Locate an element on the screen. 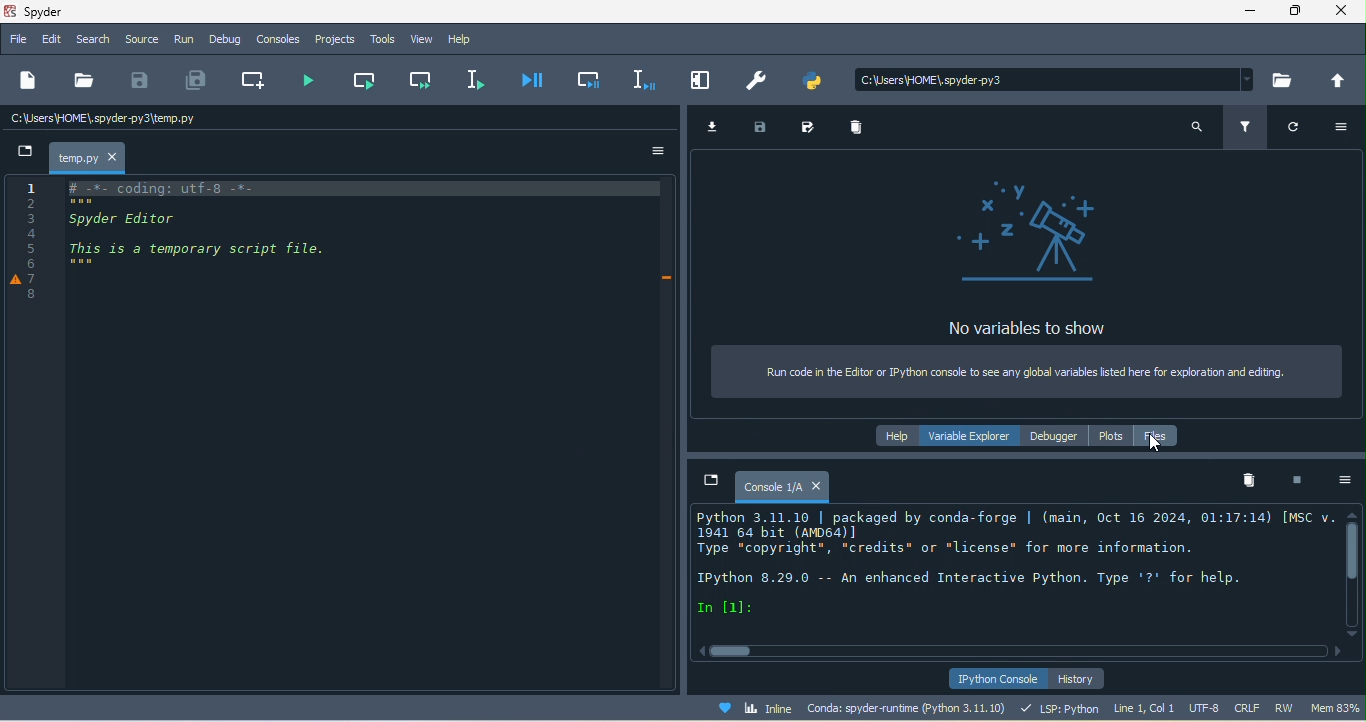  save is located at coordinates (139, 81).